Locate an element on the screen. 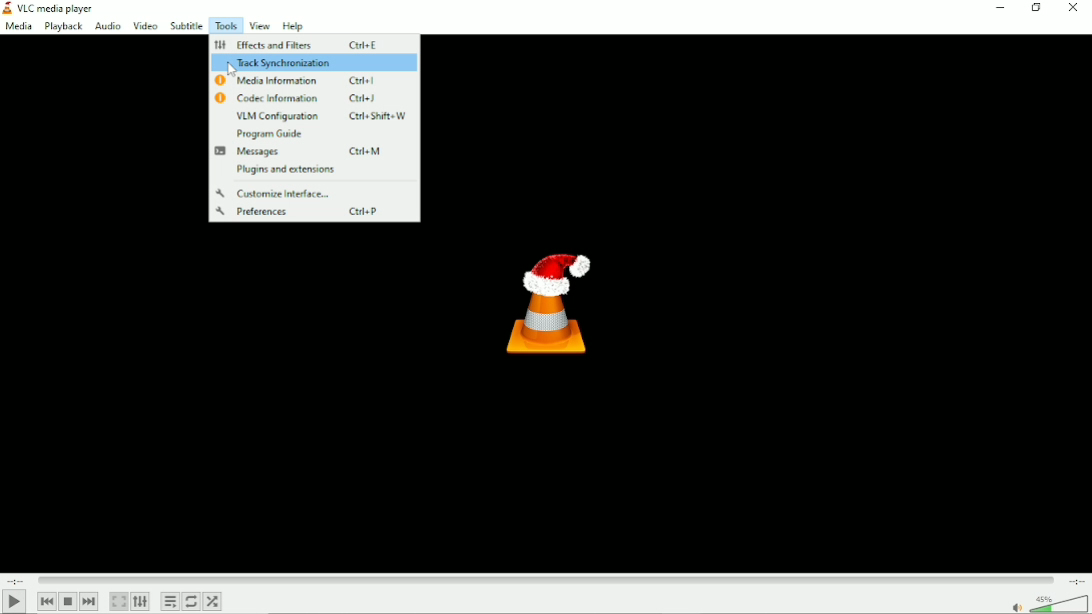 Image resolution: width=1092 pixels, height=614 pixels. Logo is located at coordinates (549, 302).